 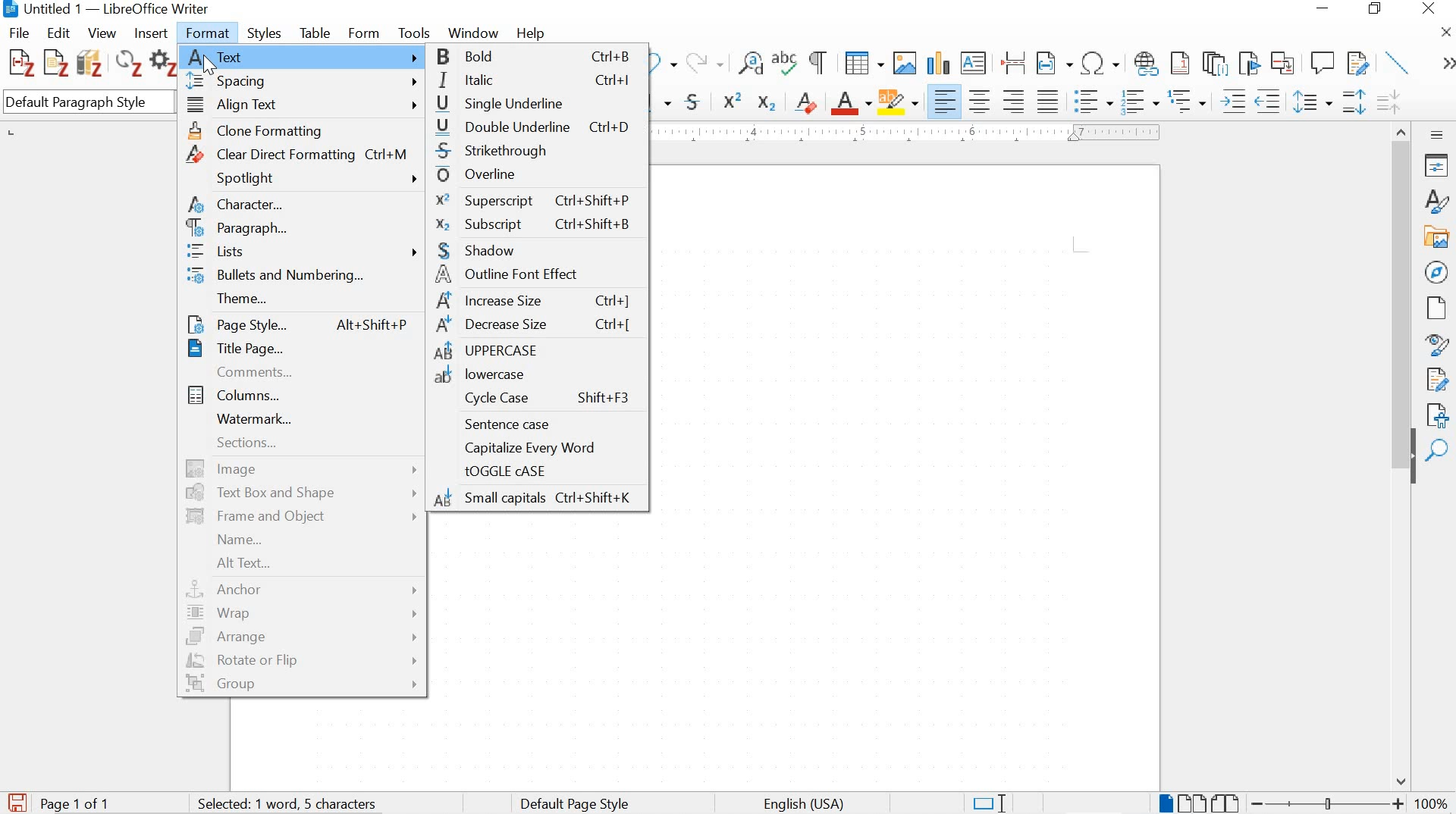 I want to click on arrange, so click(x=303, y=637).